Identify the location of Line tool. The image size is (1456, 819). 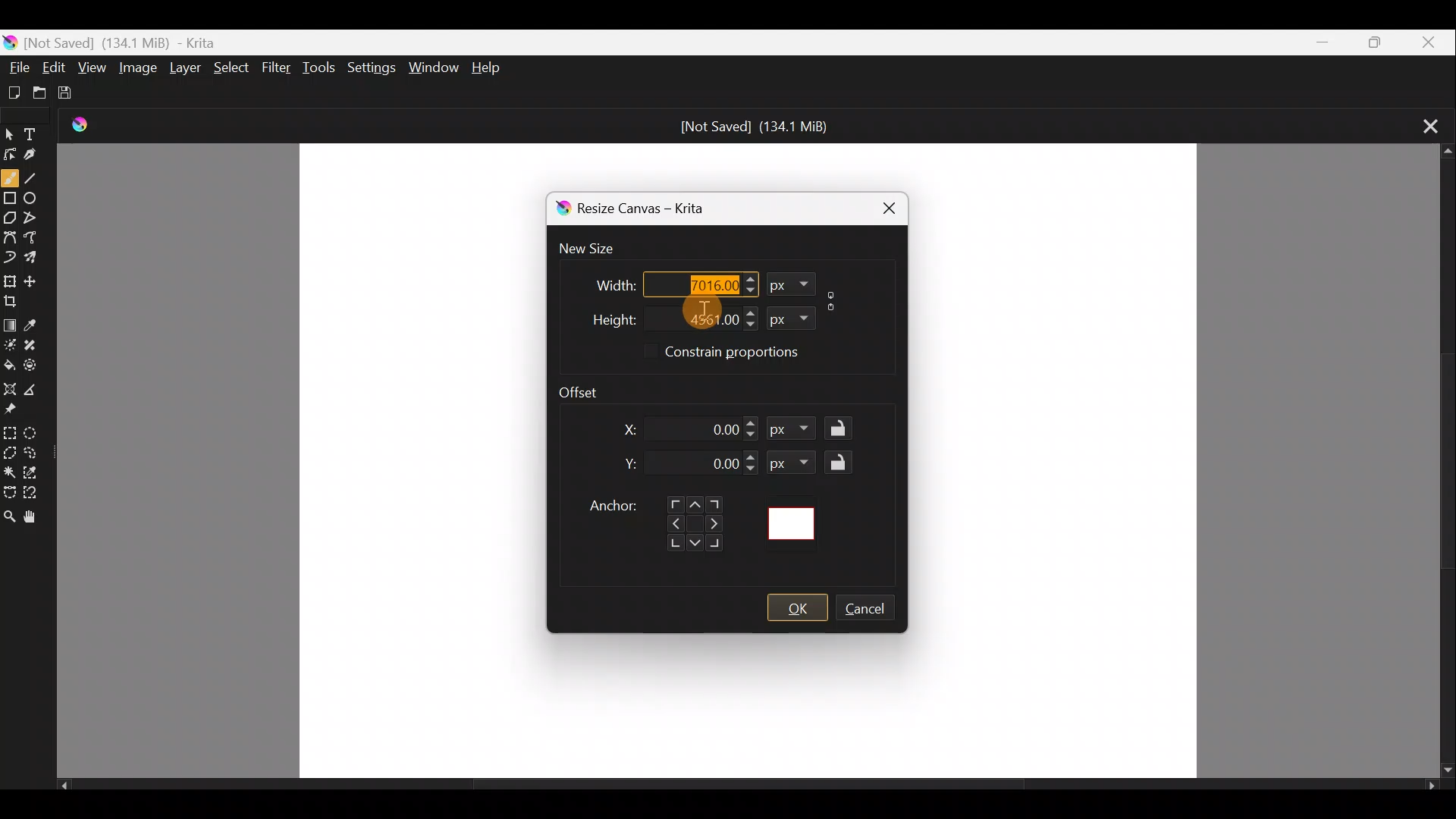
(35, 178).